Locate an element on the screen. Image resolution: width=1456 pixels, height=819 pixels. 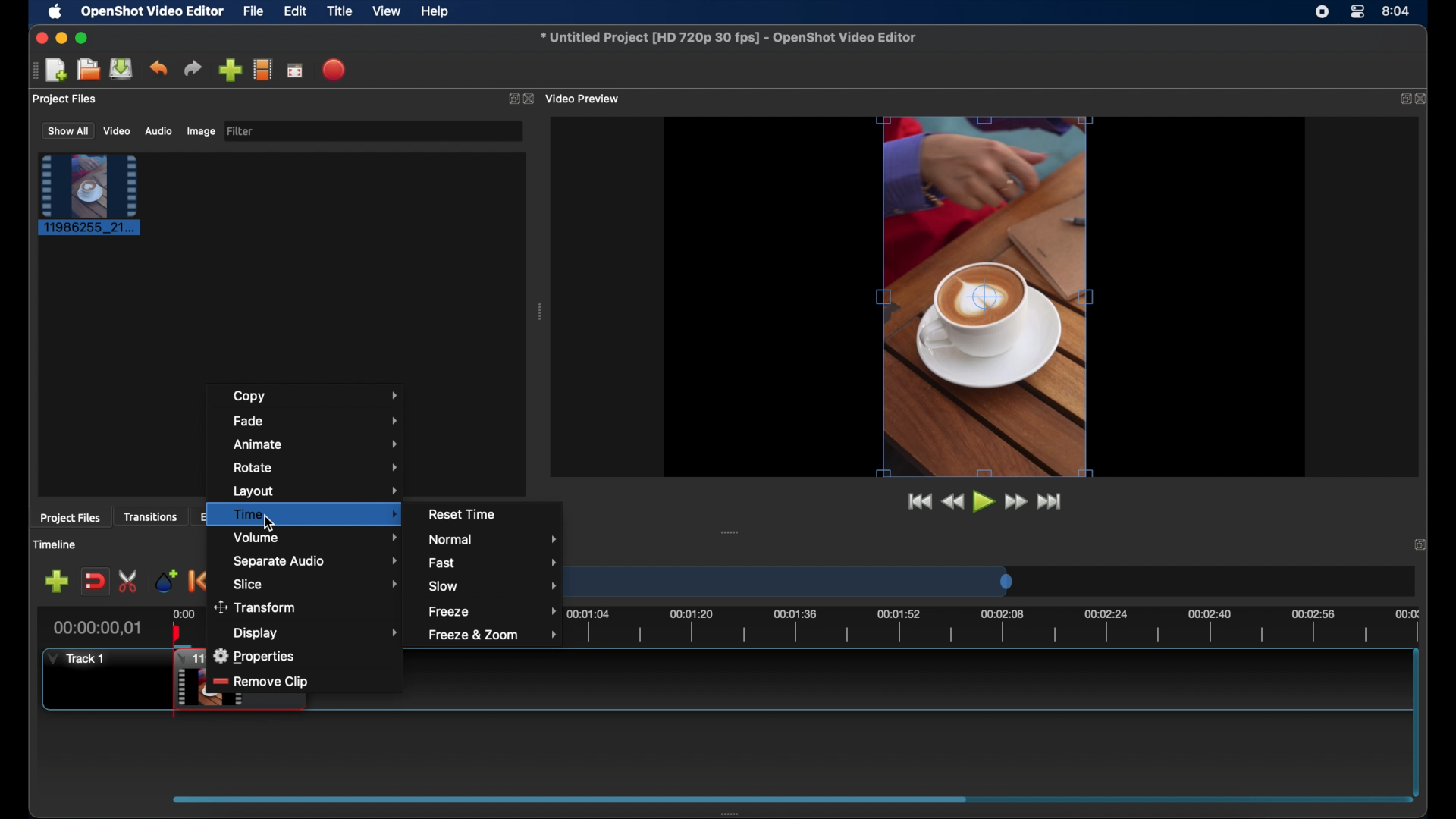
rewind is located at coordinates (953, 502).